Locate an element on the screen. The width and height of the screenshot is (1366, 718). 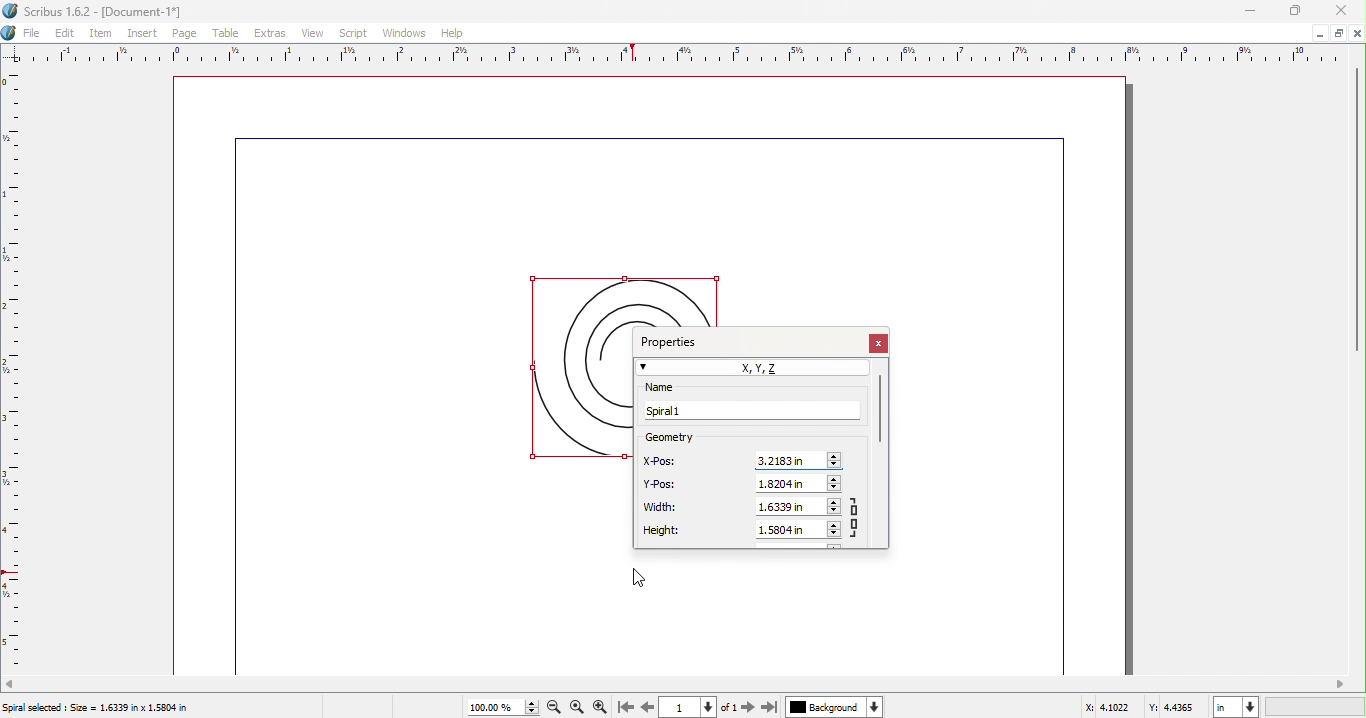
height is located at coordinates (663, 531).